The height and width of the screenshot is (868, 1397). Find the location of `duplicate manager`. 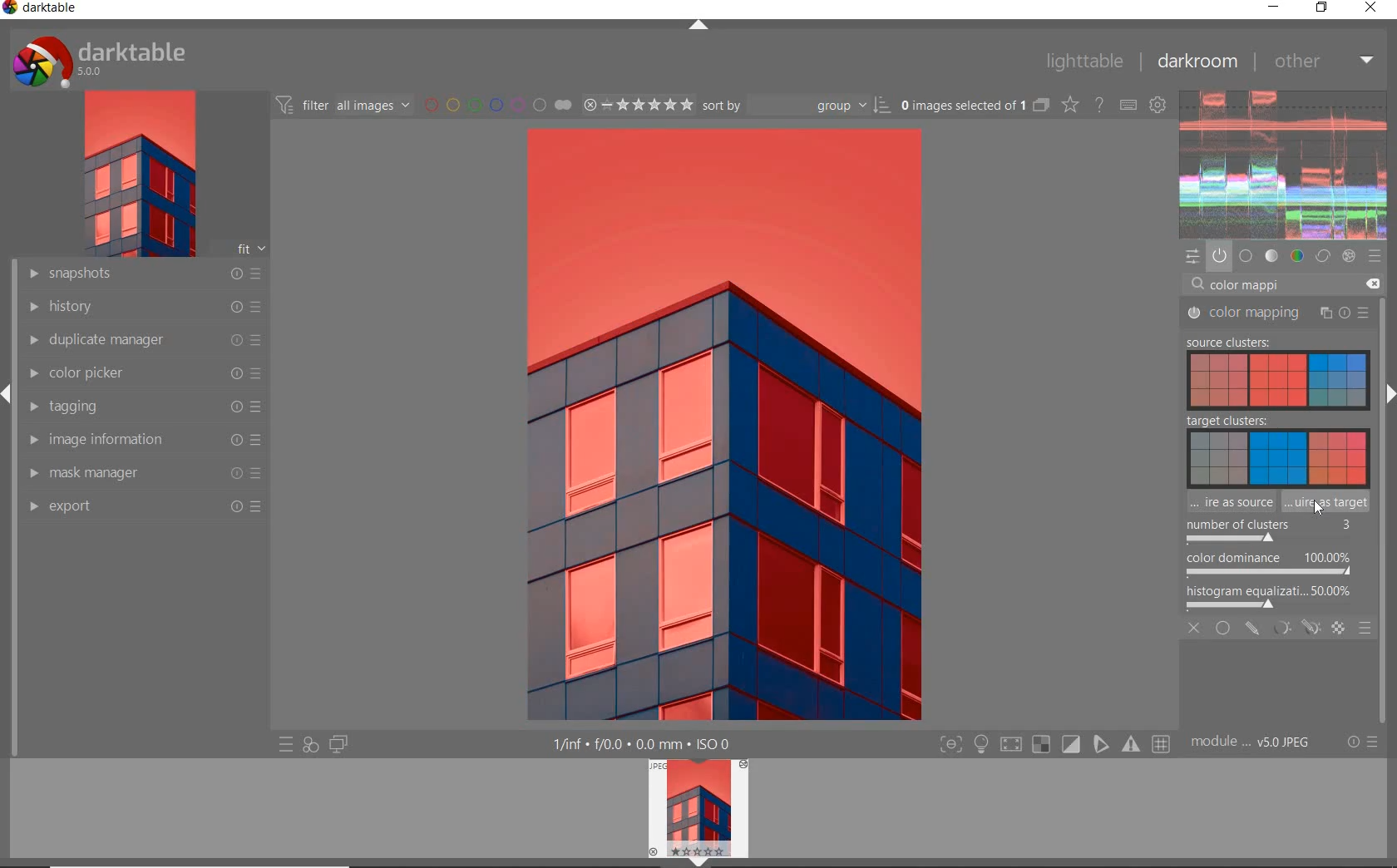

duplicate manager is located at coordinates (144, 340).